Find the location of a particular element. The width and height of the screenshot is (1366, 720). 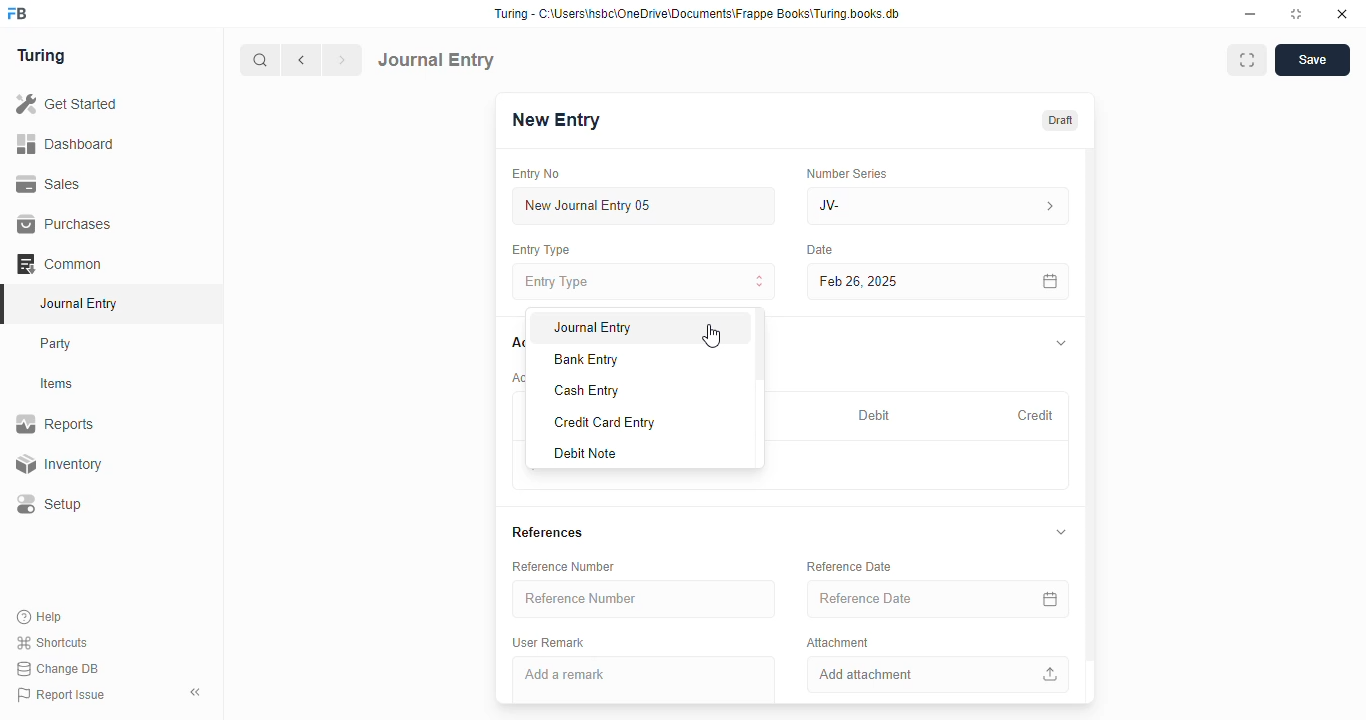

number series is located at coordinates (846, 173).